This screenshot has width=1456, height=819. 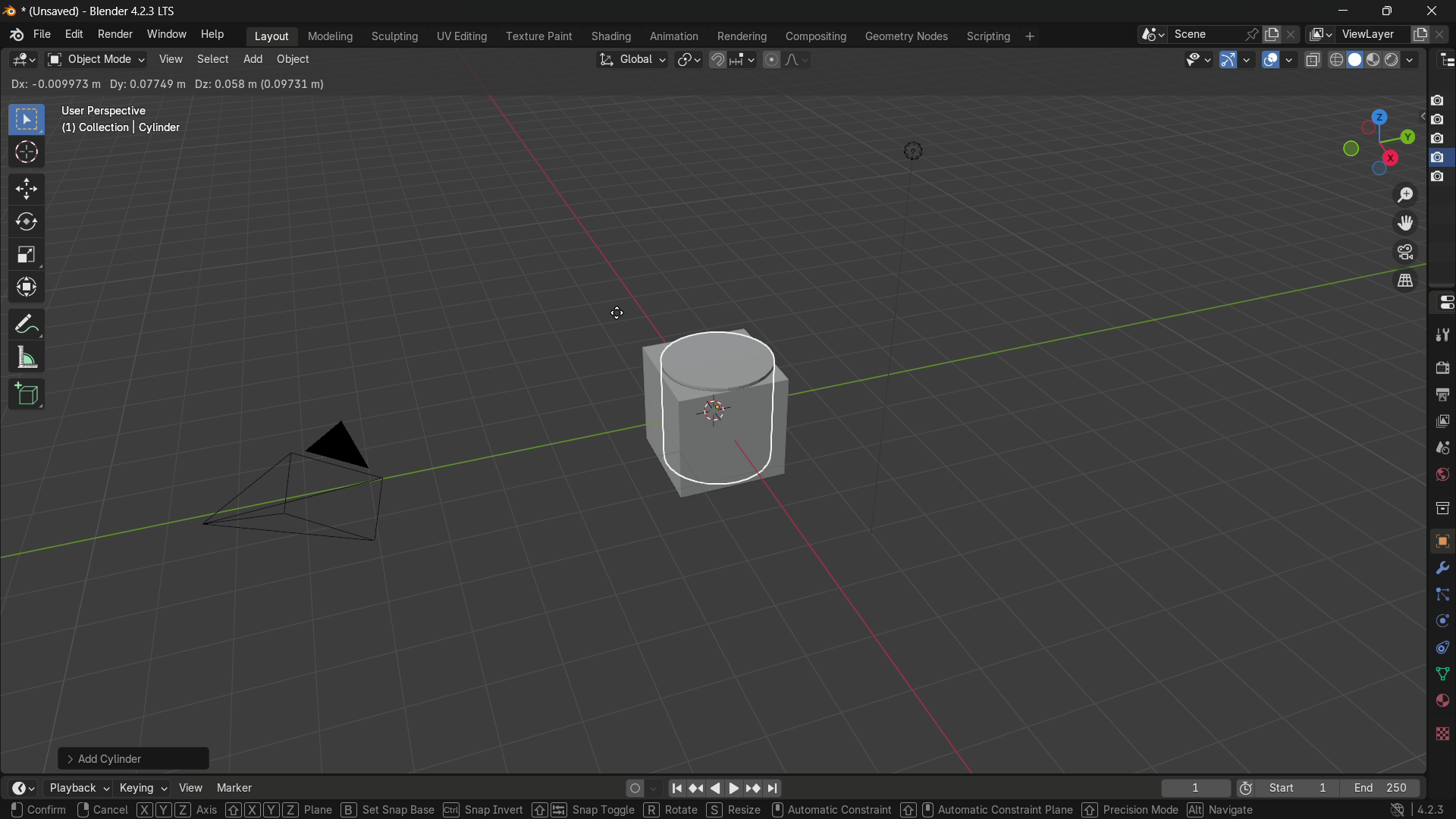 I want to click on start, so click(x=1299, y=787).